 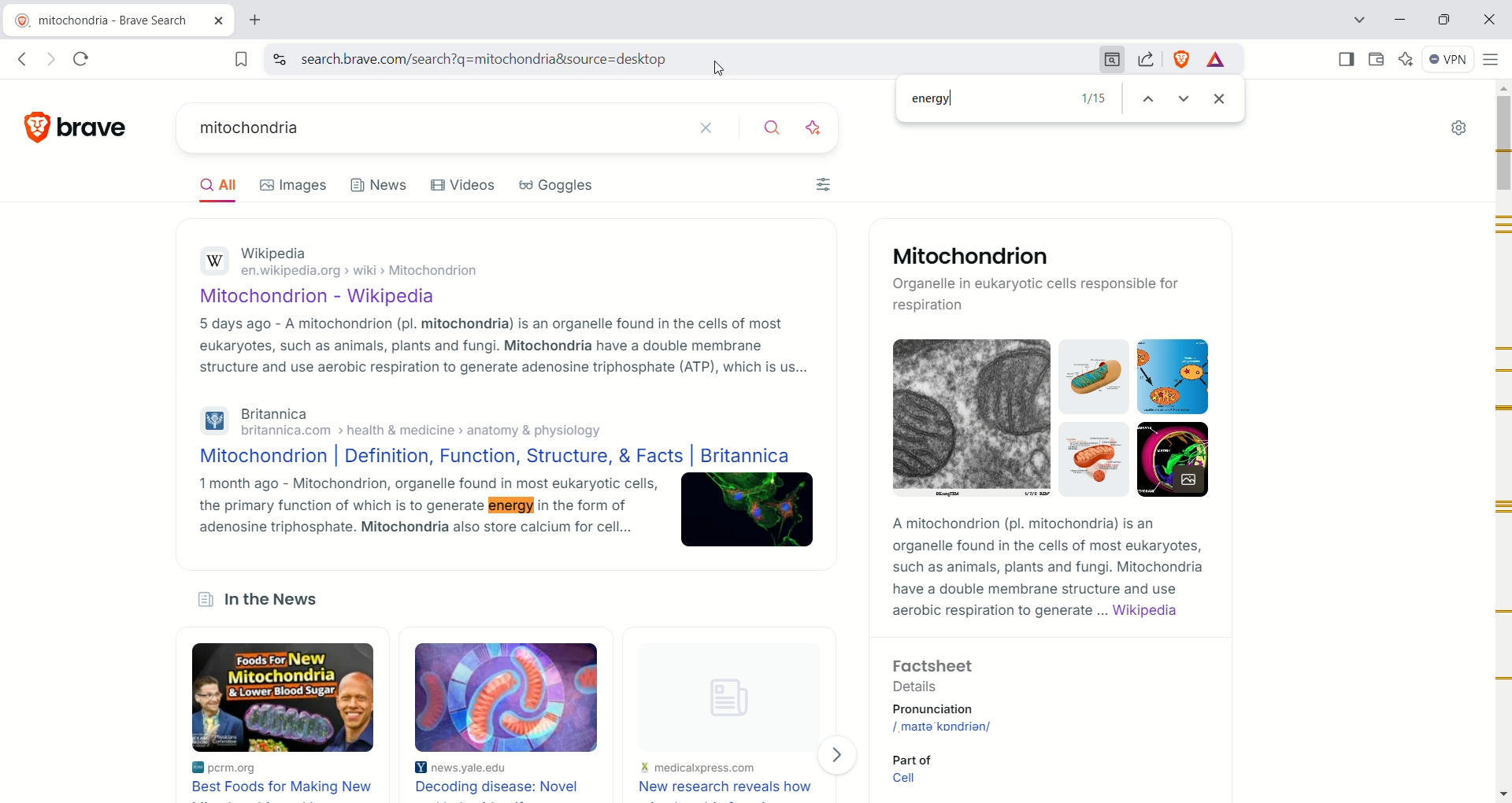 I want to click on bookmark, so click(x=243, y=60).